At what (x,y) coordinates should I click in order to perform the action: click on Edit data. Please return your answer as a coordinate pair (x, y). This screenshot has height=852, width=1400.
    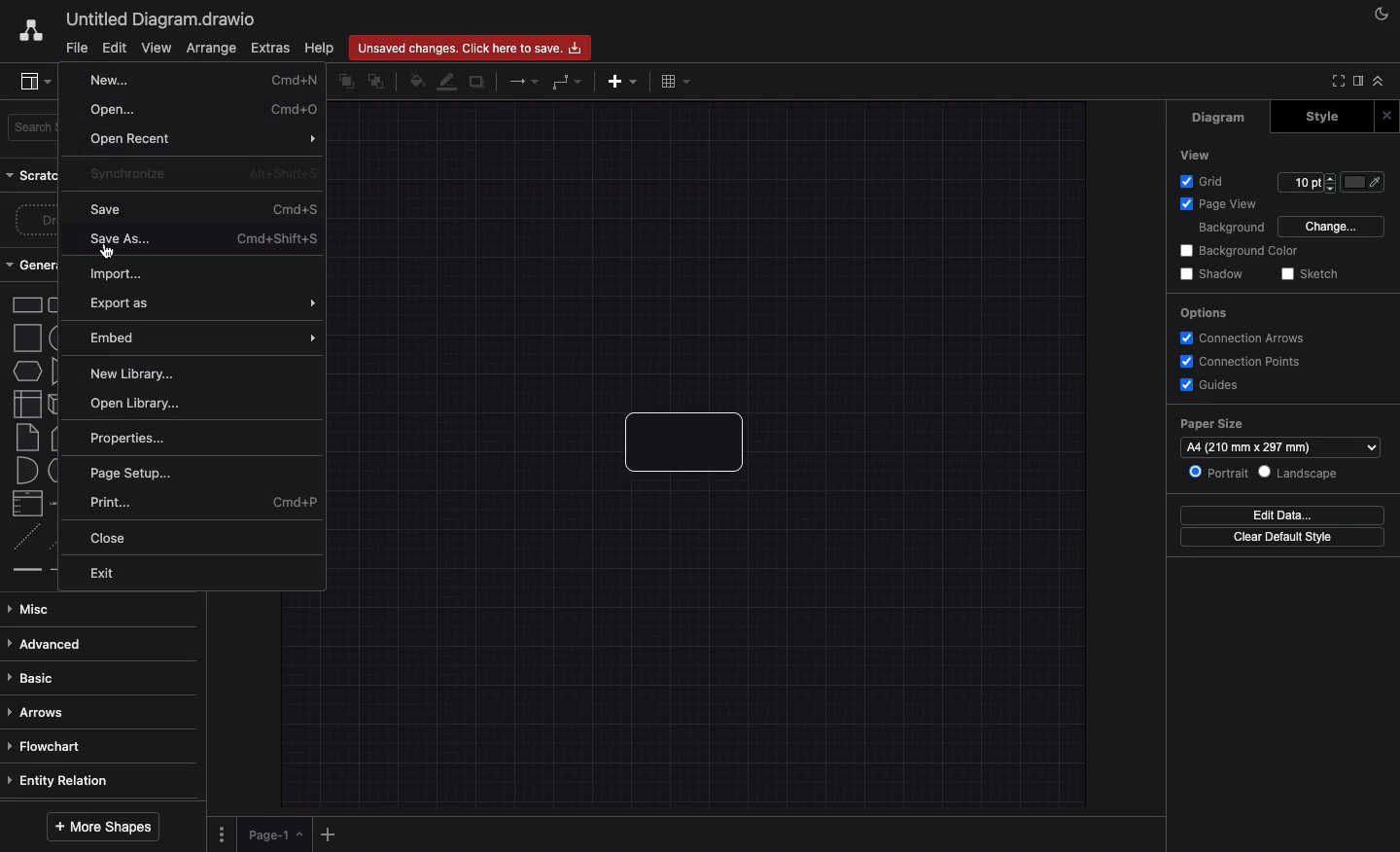
    Looking at the image, I should click on (1286, 514).